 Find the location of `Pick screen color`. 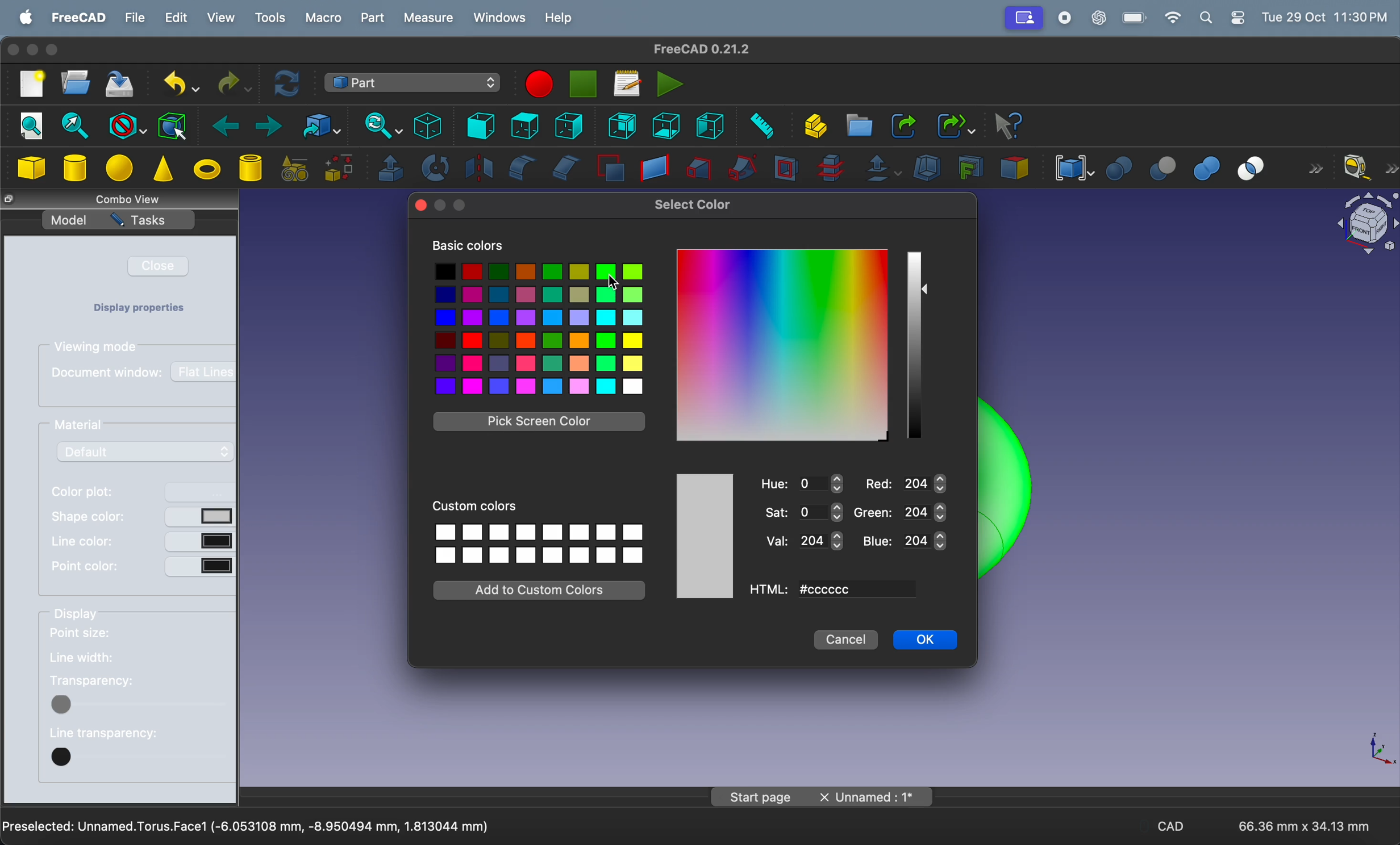

Pick screen color is located at coordinates (541, 421).